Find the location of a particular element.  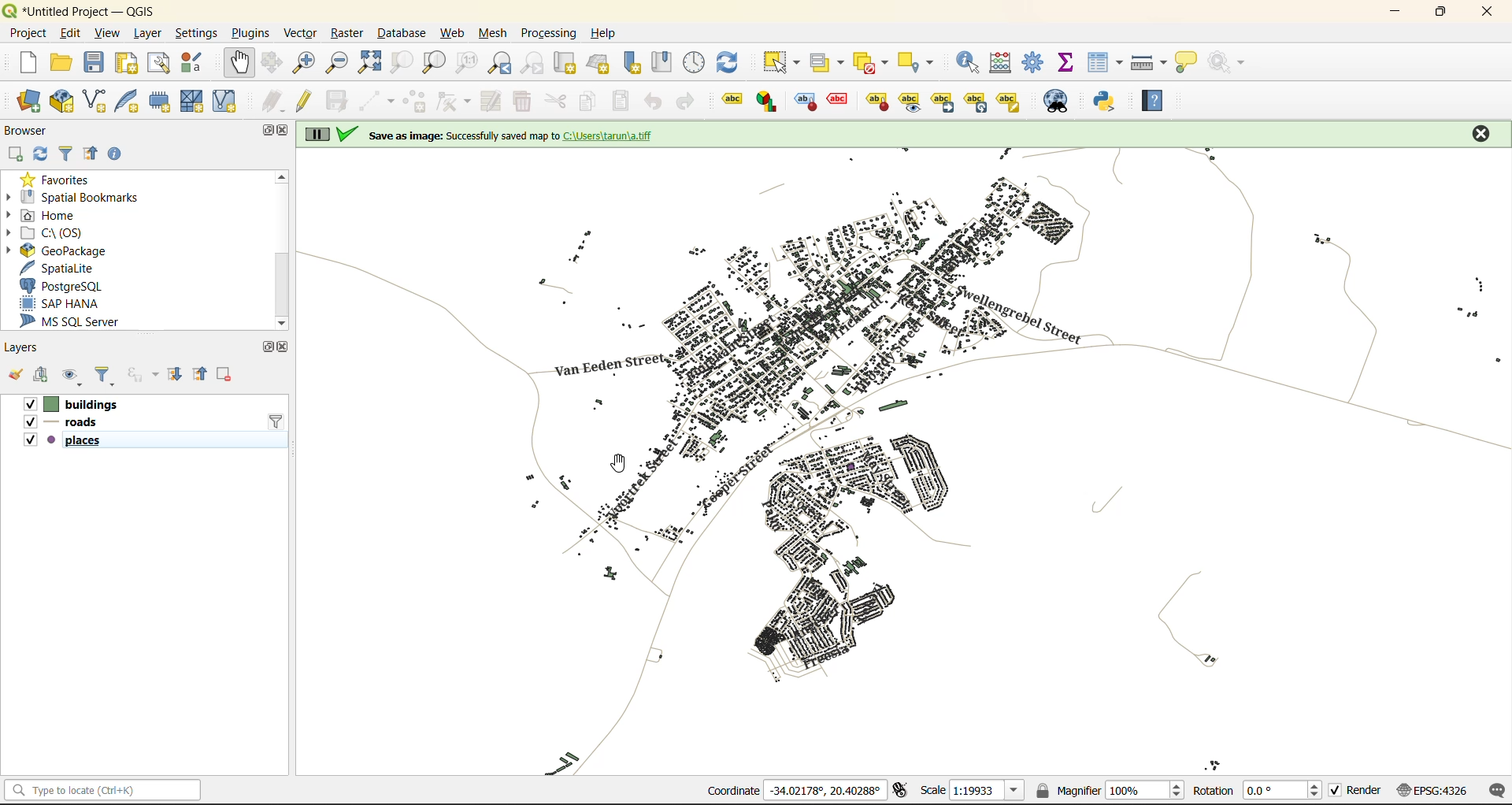

status bar is located at coordinates (100, 791).